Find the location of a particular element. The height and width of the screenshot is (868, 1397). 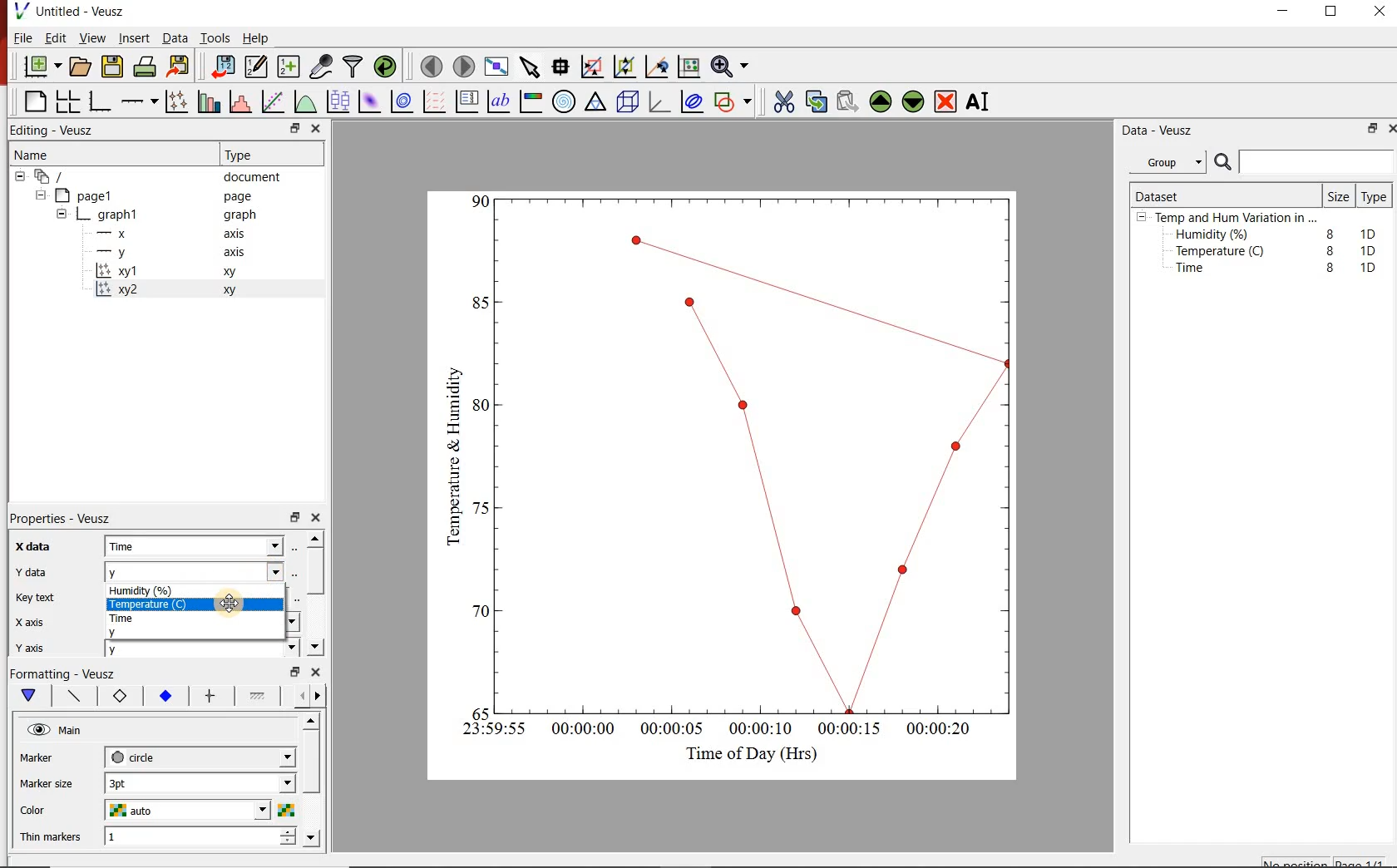

Untitled - Veusz is located at coordinates (74, 11).